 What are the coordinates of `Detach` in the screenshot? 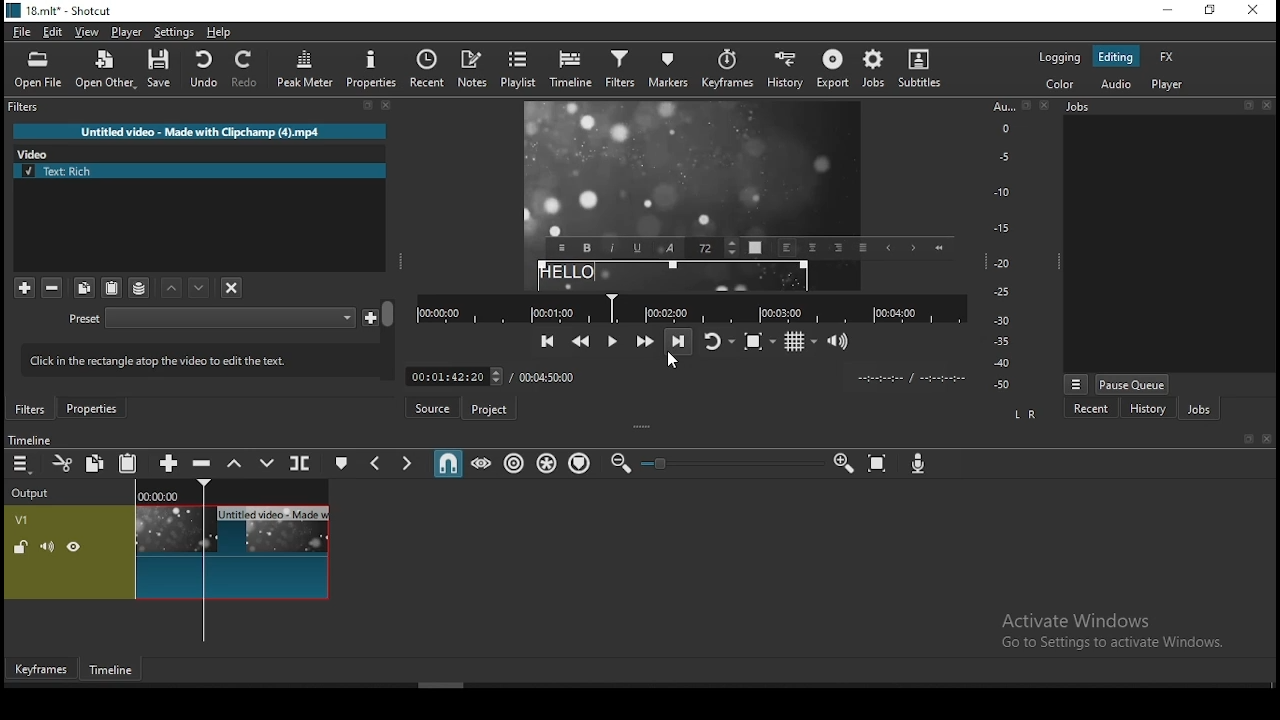 It's located at (1248, 105).